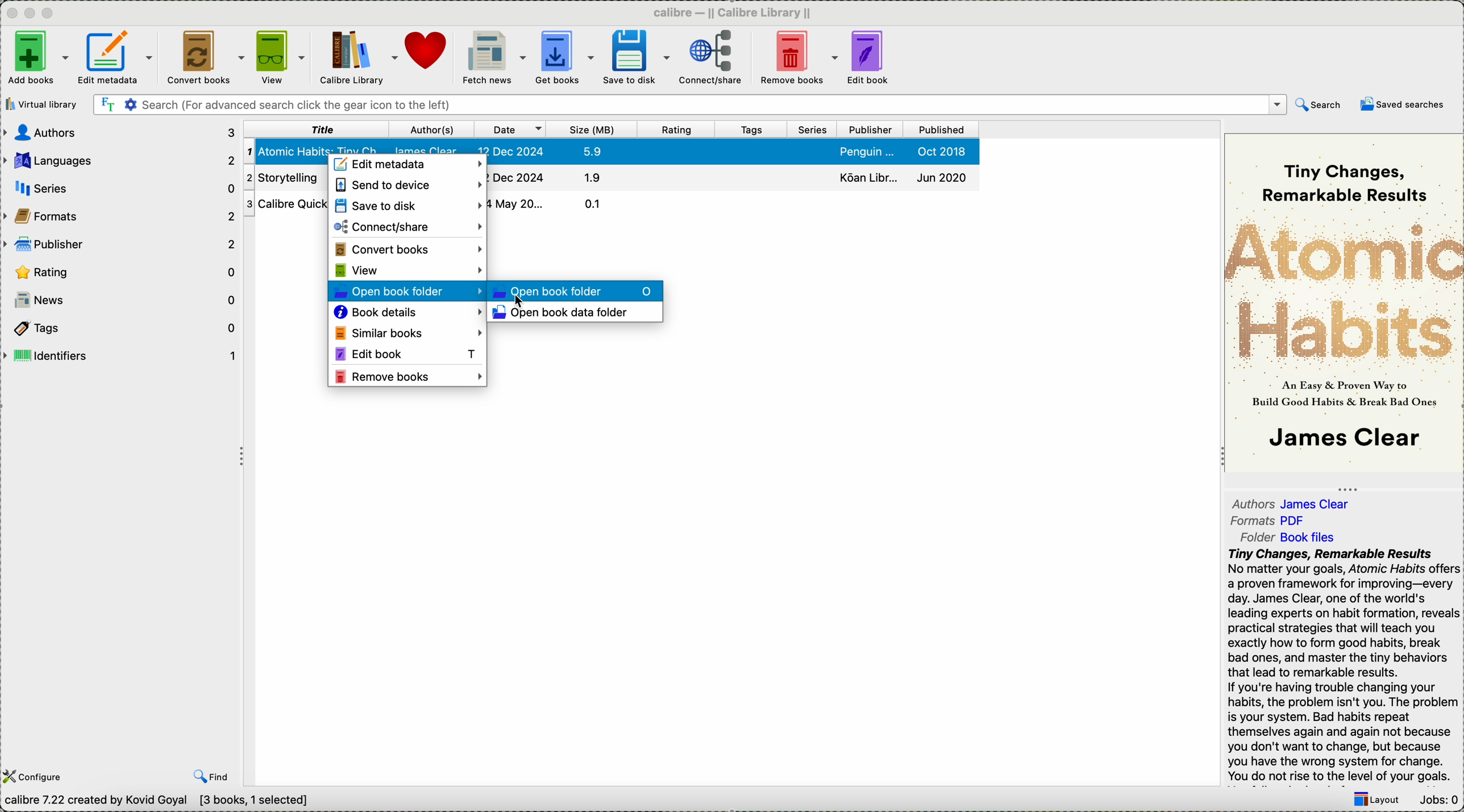 The width and height of the screenshot is (1464, 812). Describe the element at coordinates (941, 130) in the screenshot. I see `published` at that location.